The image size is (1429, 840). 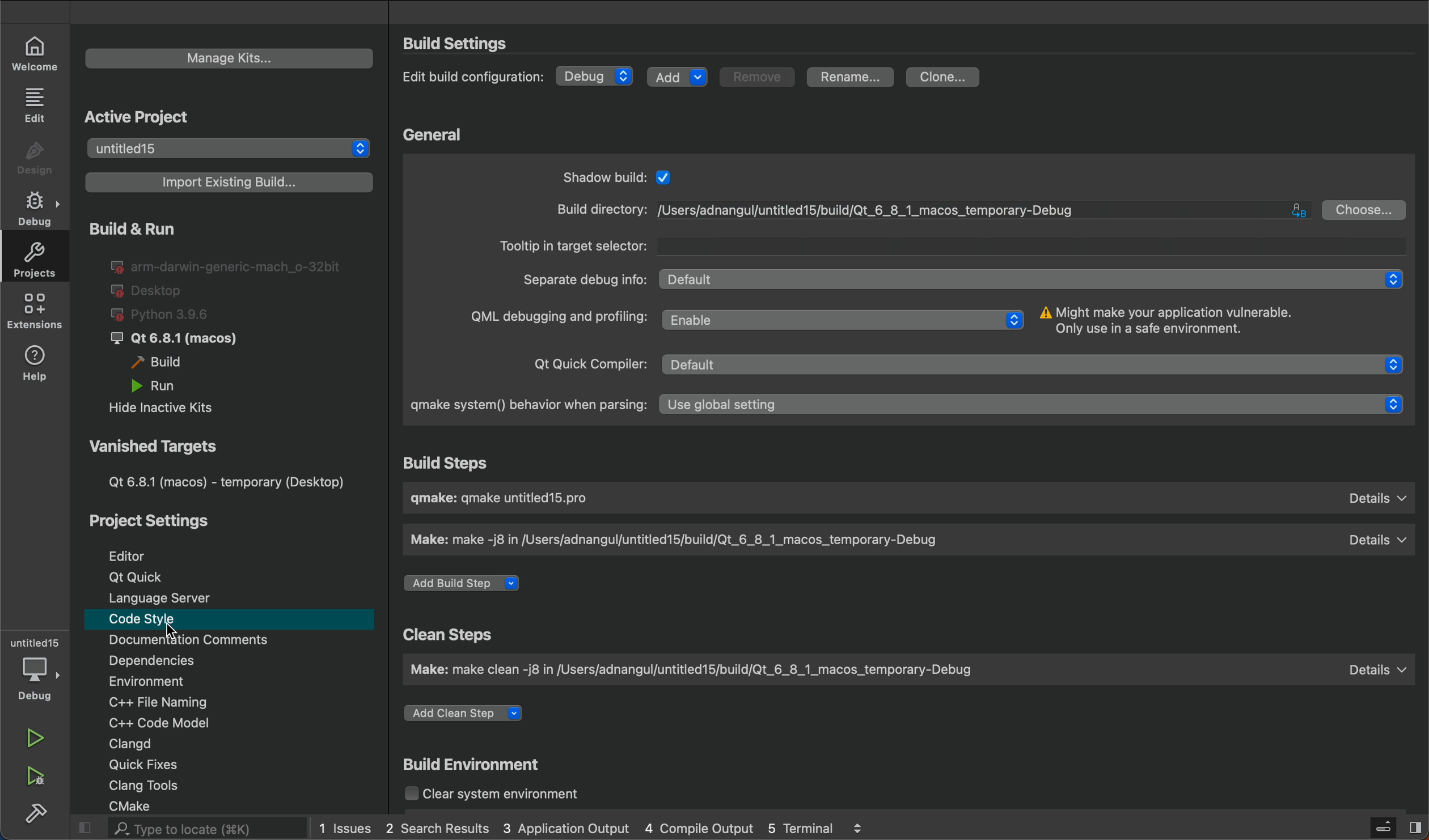 What do you see at coordinates (908, 668) in the screenshot?
I see `cleansteps` at bounding box center [908, 668].